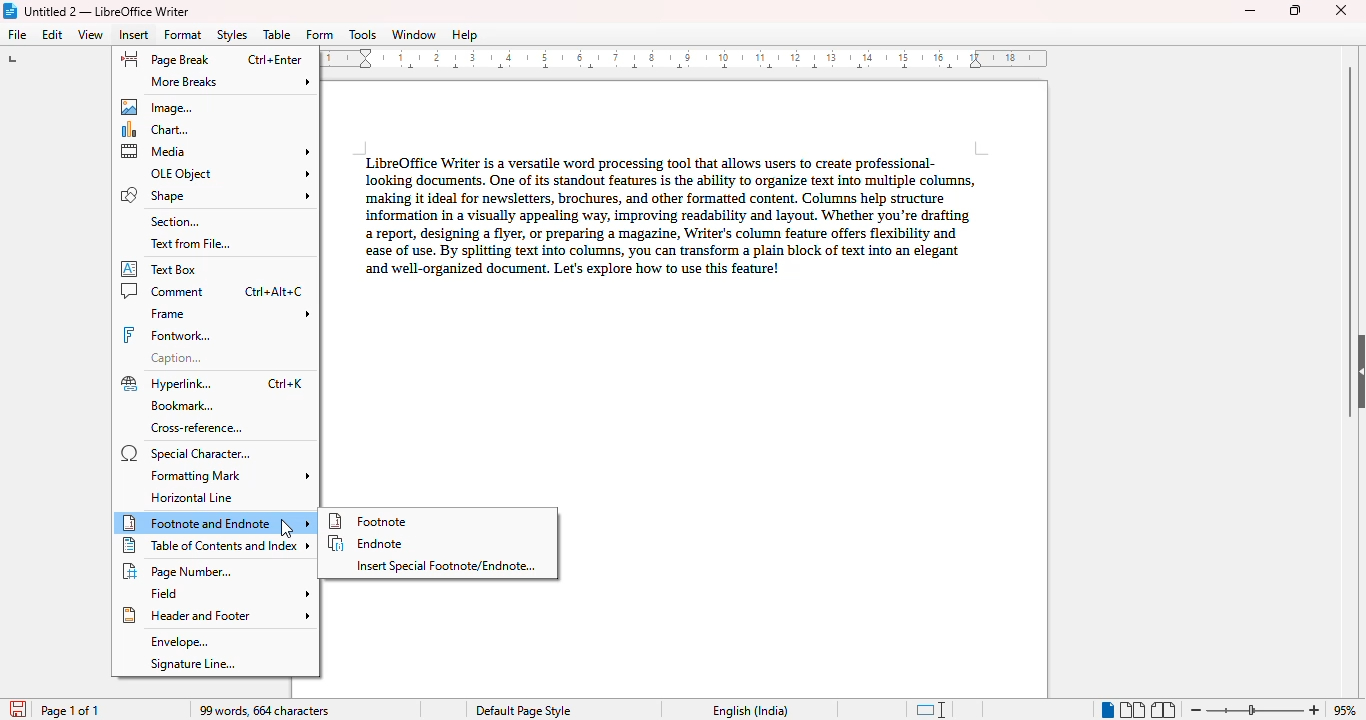 This screenshot has height=720, width=1366. What do you see at coordinates (193, 664) in the screenshot?
I see `signature line` at bounding box center [193, 664].